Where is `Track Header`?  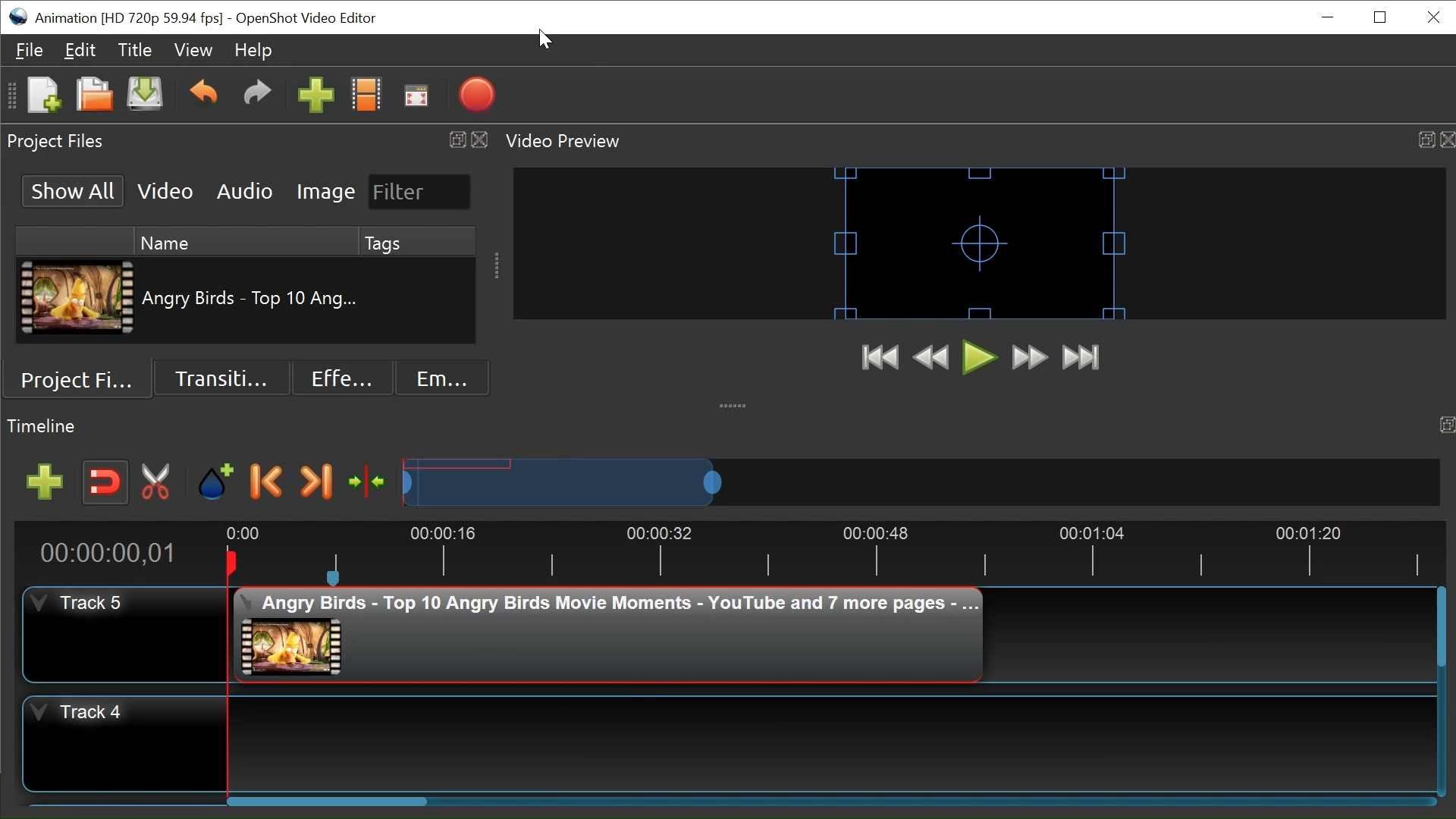
Track Header is located at coordinates (125, 746).